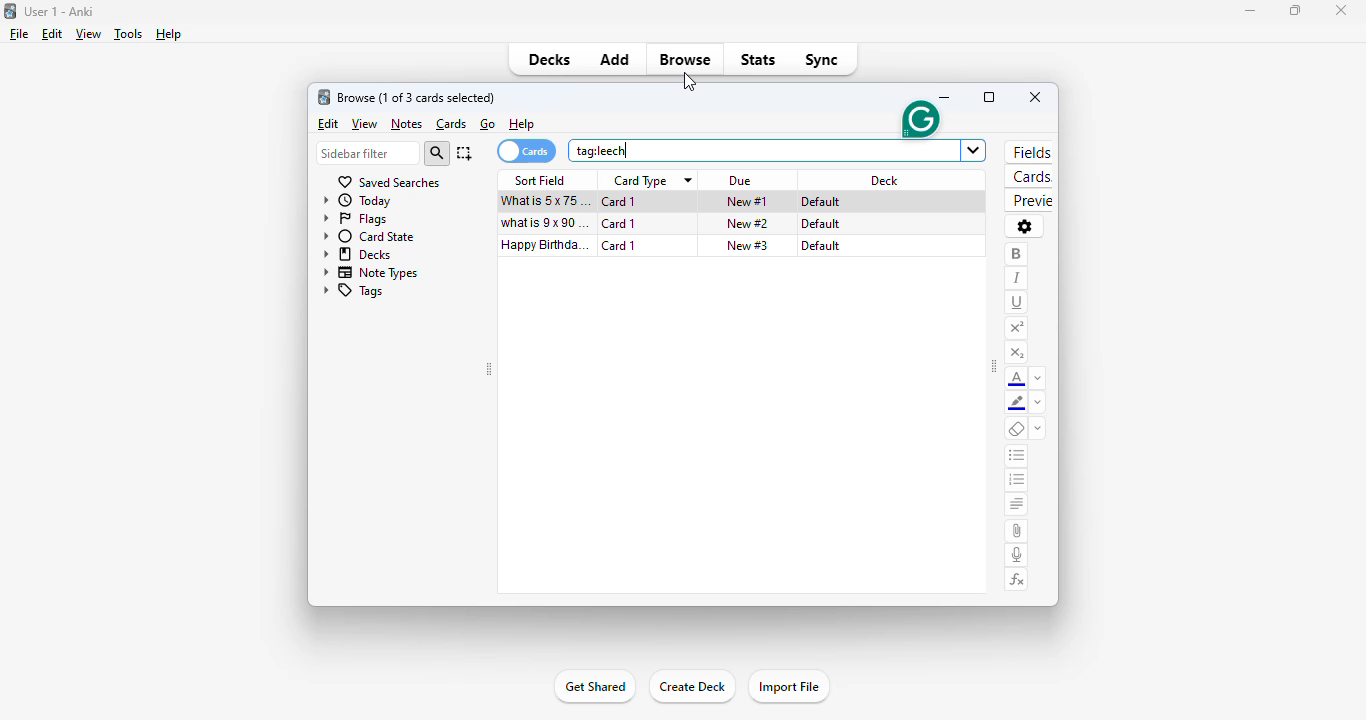 This screenshot has width=1366, height=720. Describe the element at coordinates (1017, 503) in the screenshot. I see `alignment` at that location.